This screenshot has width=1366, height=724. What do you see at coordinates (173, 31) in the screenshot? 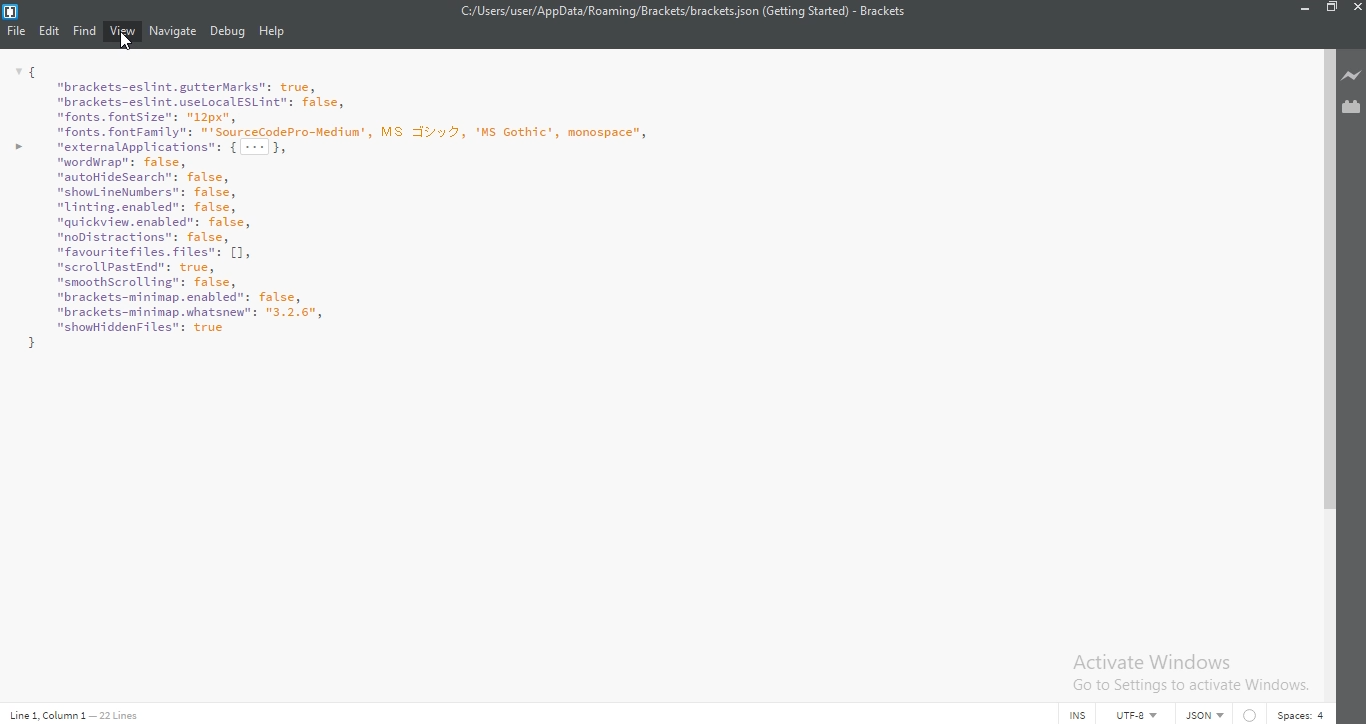
I see `Navigate` at bounding box center [173, 31].